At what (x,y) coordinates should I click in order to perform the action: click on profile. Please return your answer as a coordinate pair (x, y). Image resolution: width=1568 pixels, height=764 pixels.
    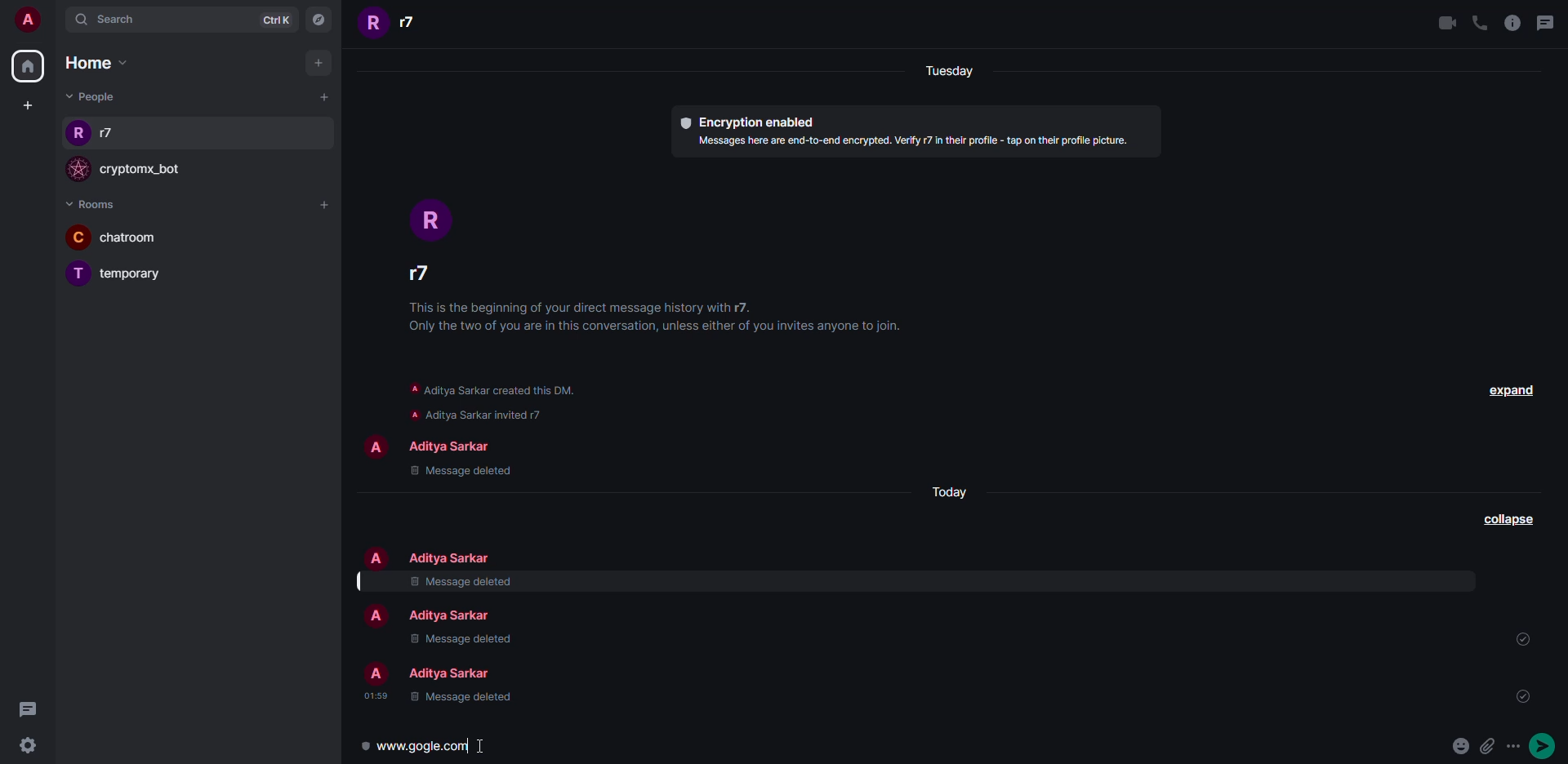
    Looking at the image, I should click on (80, 237).